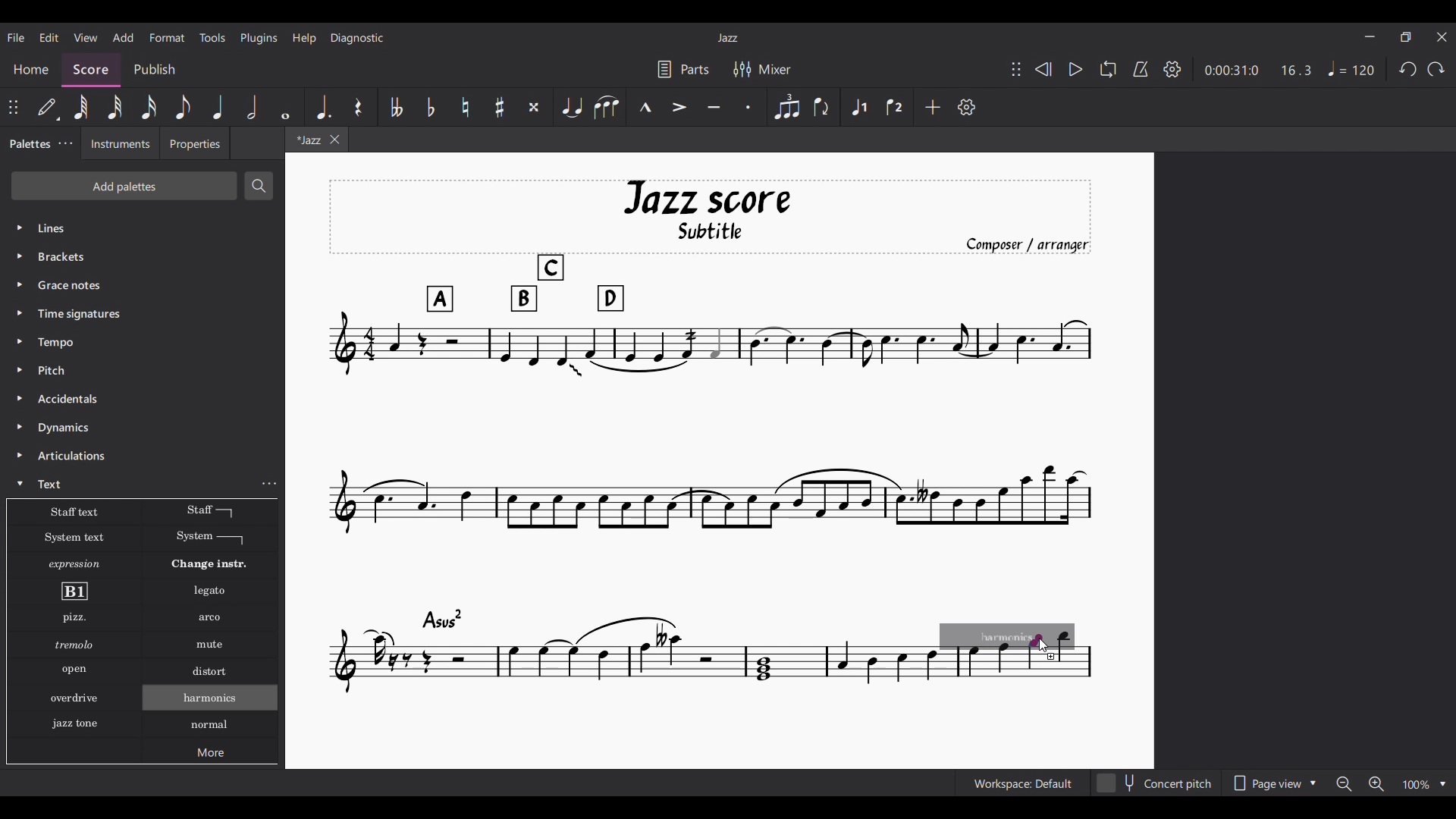 This screenshot has height=819, width=1456. I want to click on Change position, so click(1016, 69).